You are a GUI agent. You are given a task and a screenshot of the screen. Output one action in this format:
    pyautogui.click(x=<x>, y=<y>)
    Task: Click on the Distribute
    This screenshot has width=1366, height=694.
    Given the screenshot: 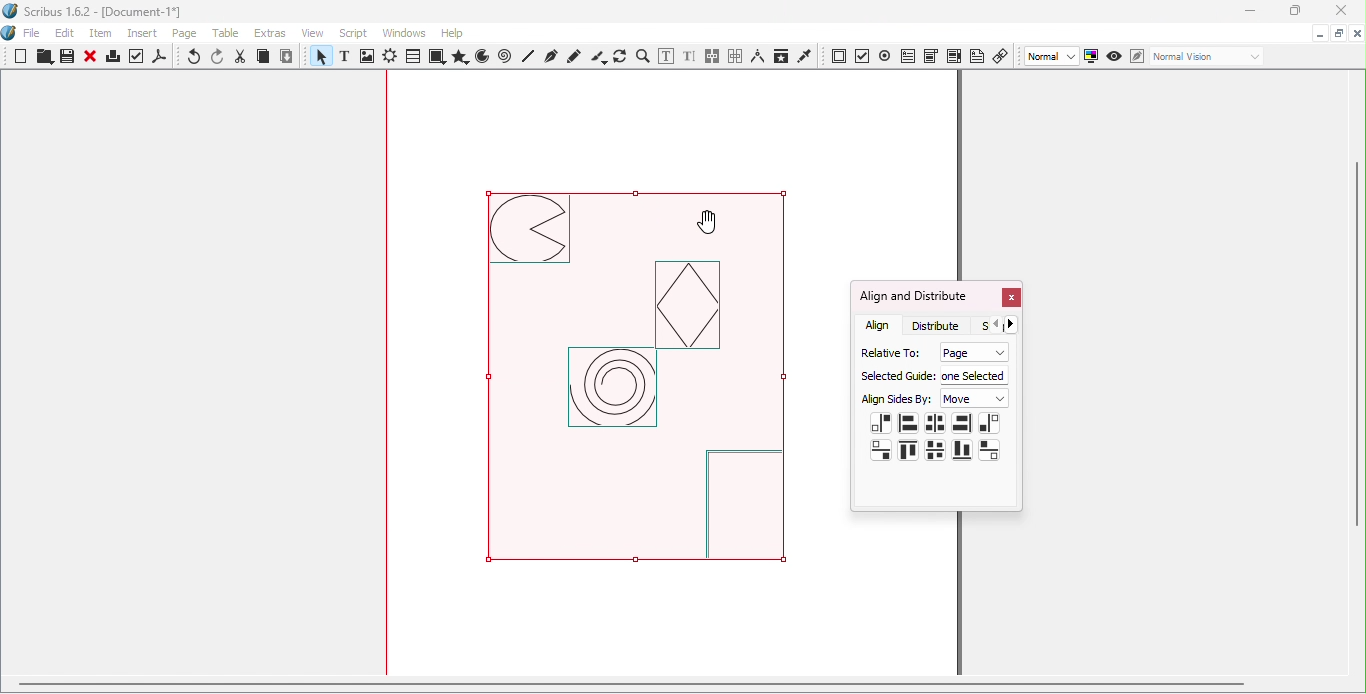 What is the action you would take?
    pyautogui.click(x=941, y=325)
    